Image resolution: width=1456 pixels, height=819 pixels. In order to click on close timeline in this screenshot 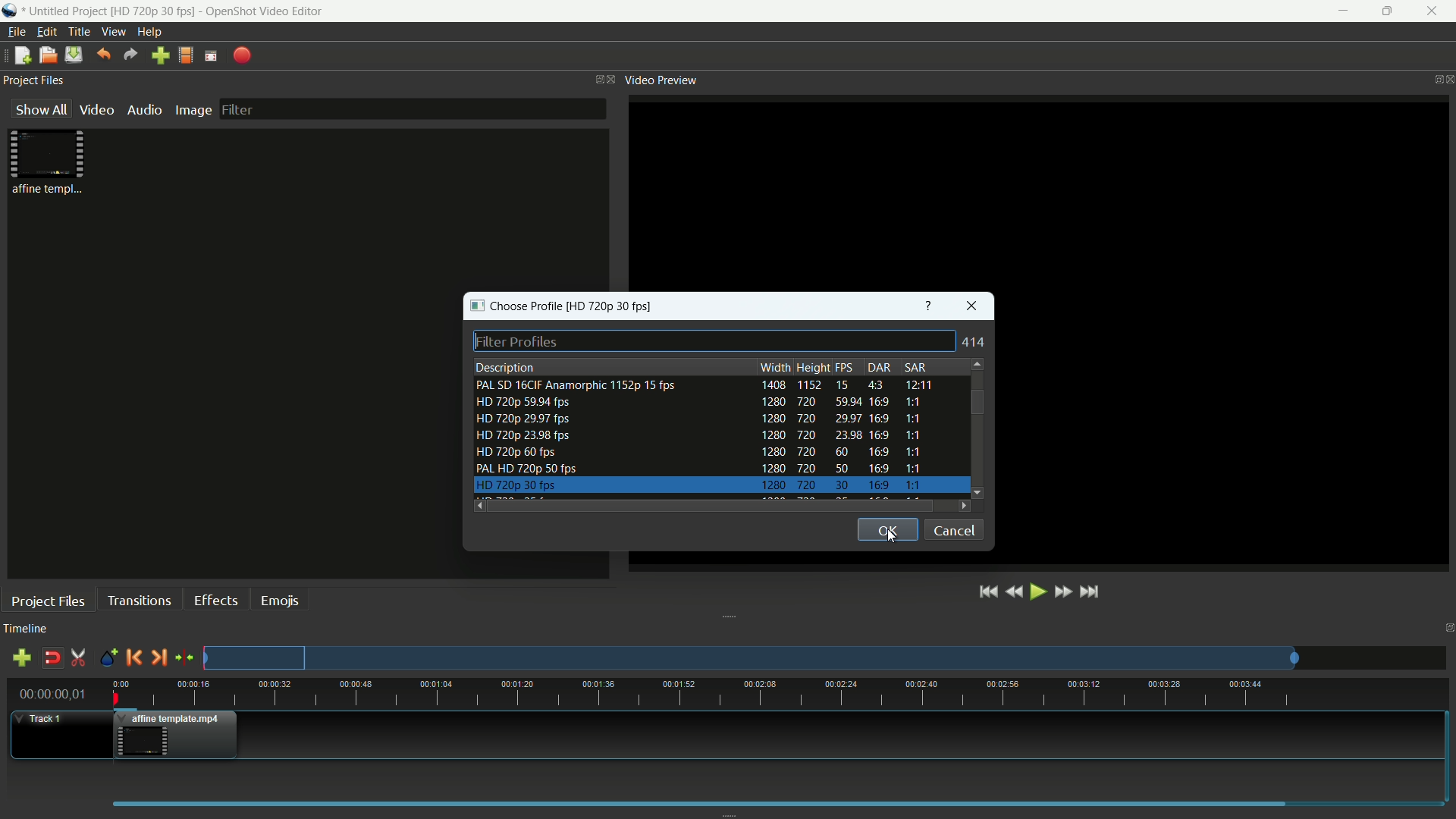, I will do `click(1447, 629)`.